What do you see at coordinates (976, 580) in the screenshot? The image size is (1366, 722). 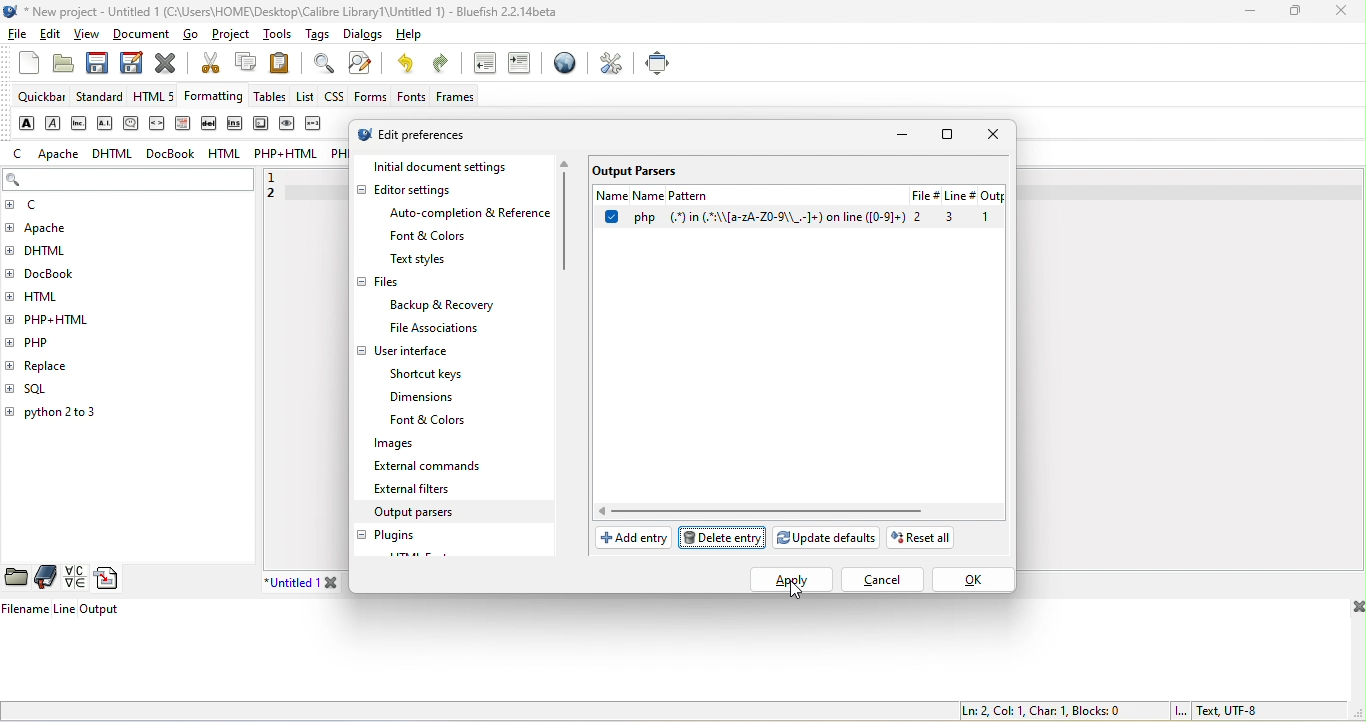 I see `ok` at bounding box center [976, 580].